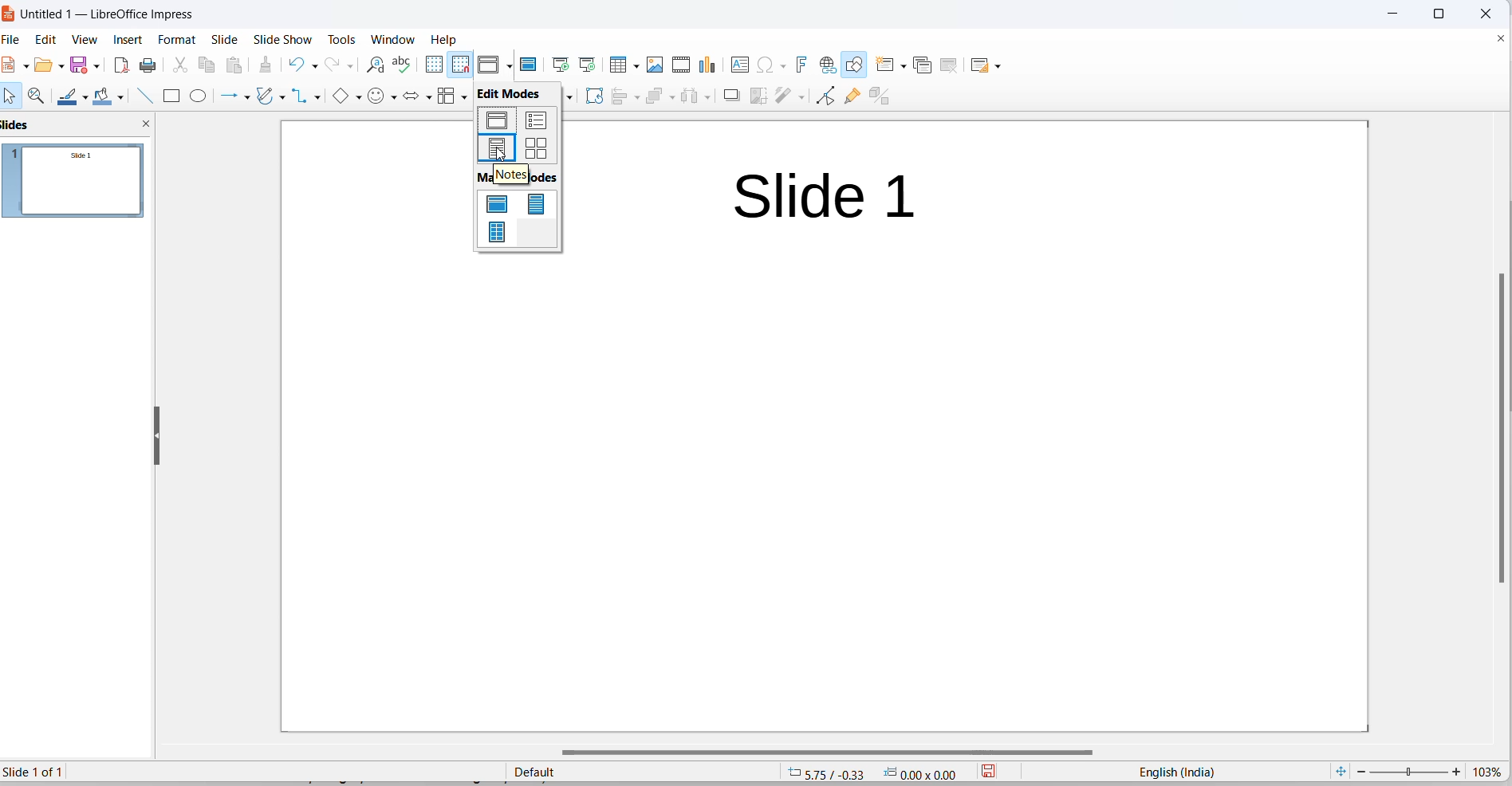 Image resolution: width=1512 pixels, height=786 pixels. I want to click on hover text, so click(512, 174).